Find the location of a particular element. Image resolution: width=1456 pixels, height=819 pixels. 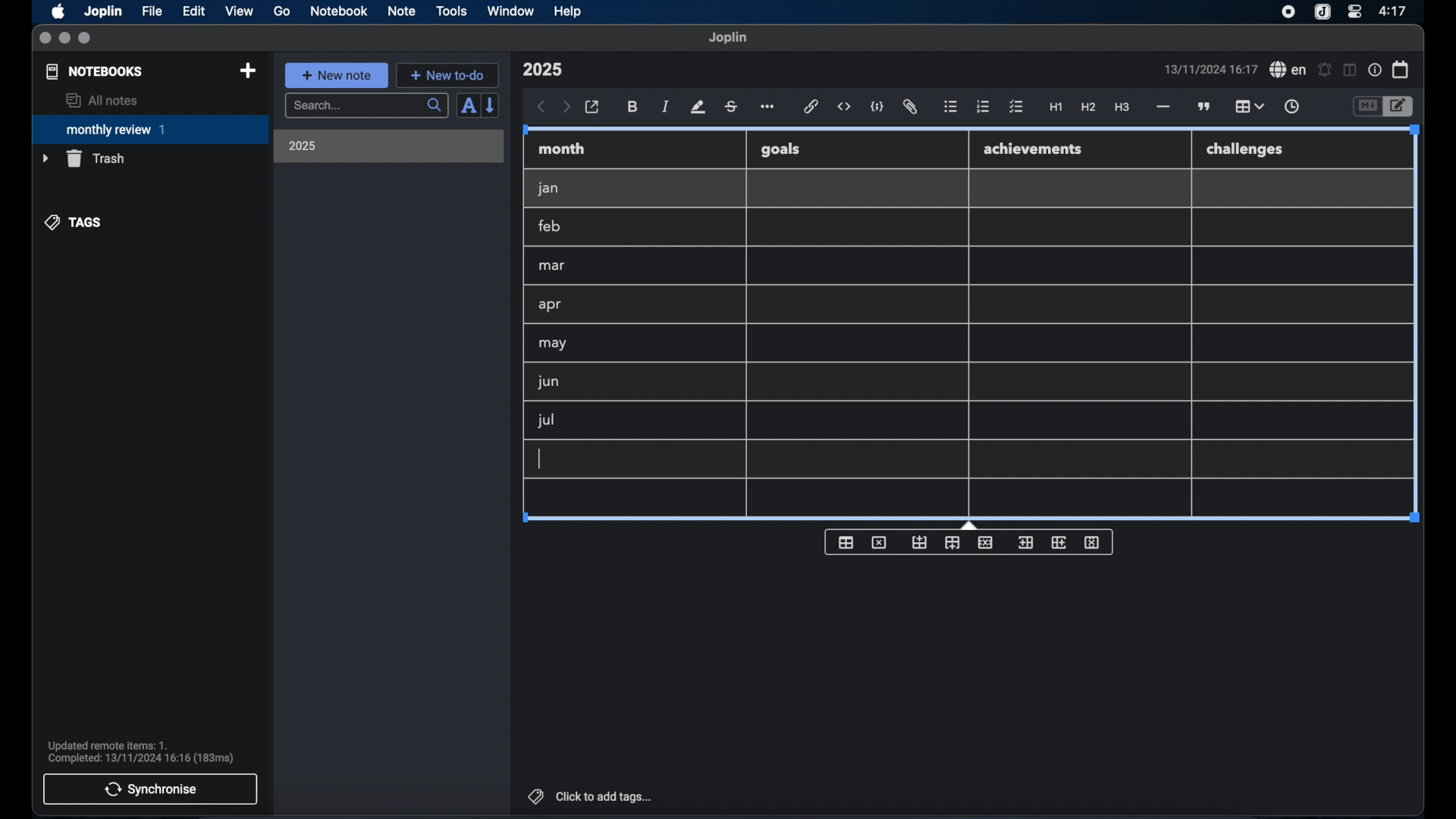

open in external editor is located at coordinates (593, 108).